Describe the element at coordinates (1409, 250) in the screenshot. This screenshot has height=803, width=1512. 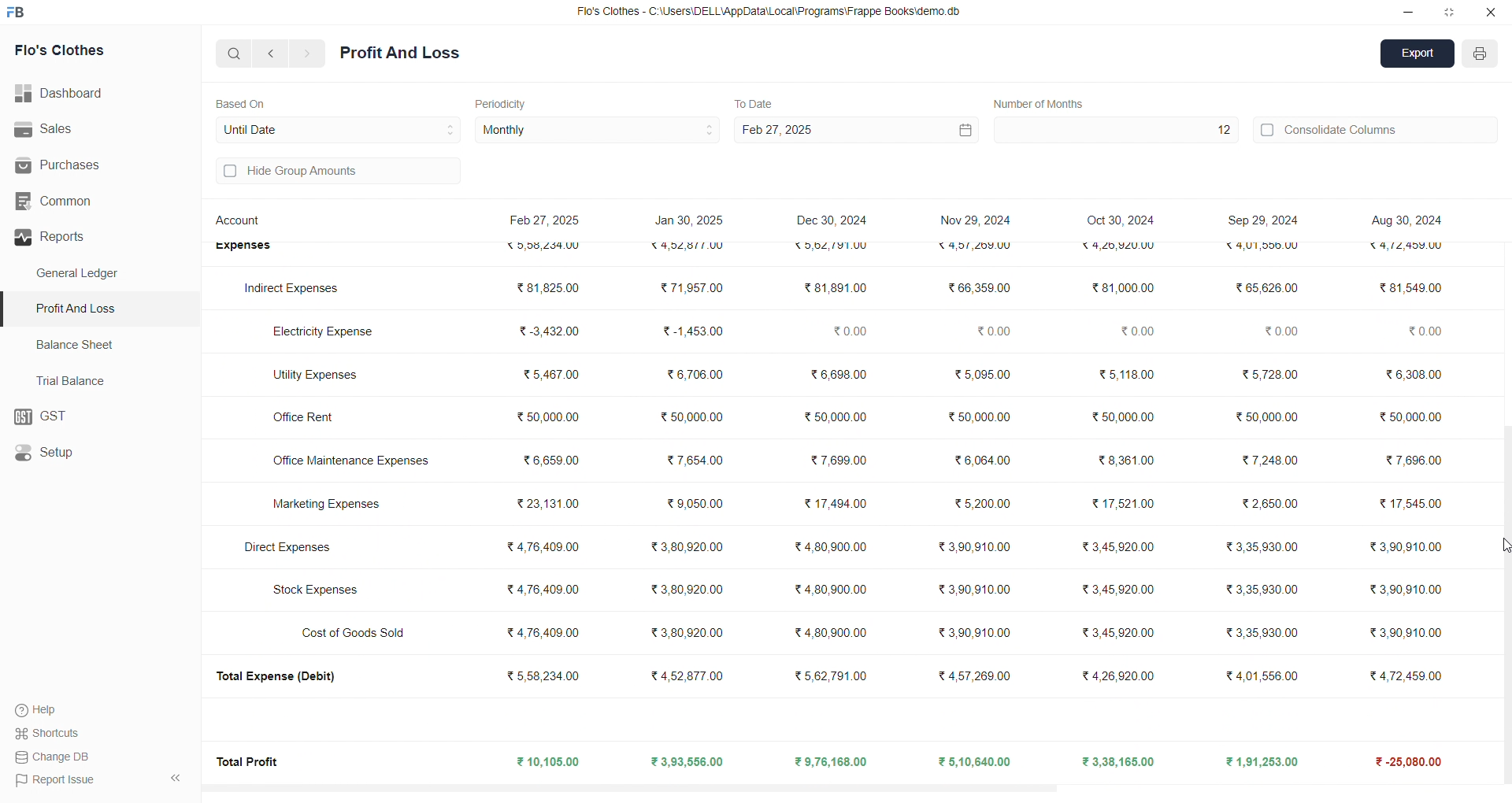
I see `€4,72,459.00` at that location.